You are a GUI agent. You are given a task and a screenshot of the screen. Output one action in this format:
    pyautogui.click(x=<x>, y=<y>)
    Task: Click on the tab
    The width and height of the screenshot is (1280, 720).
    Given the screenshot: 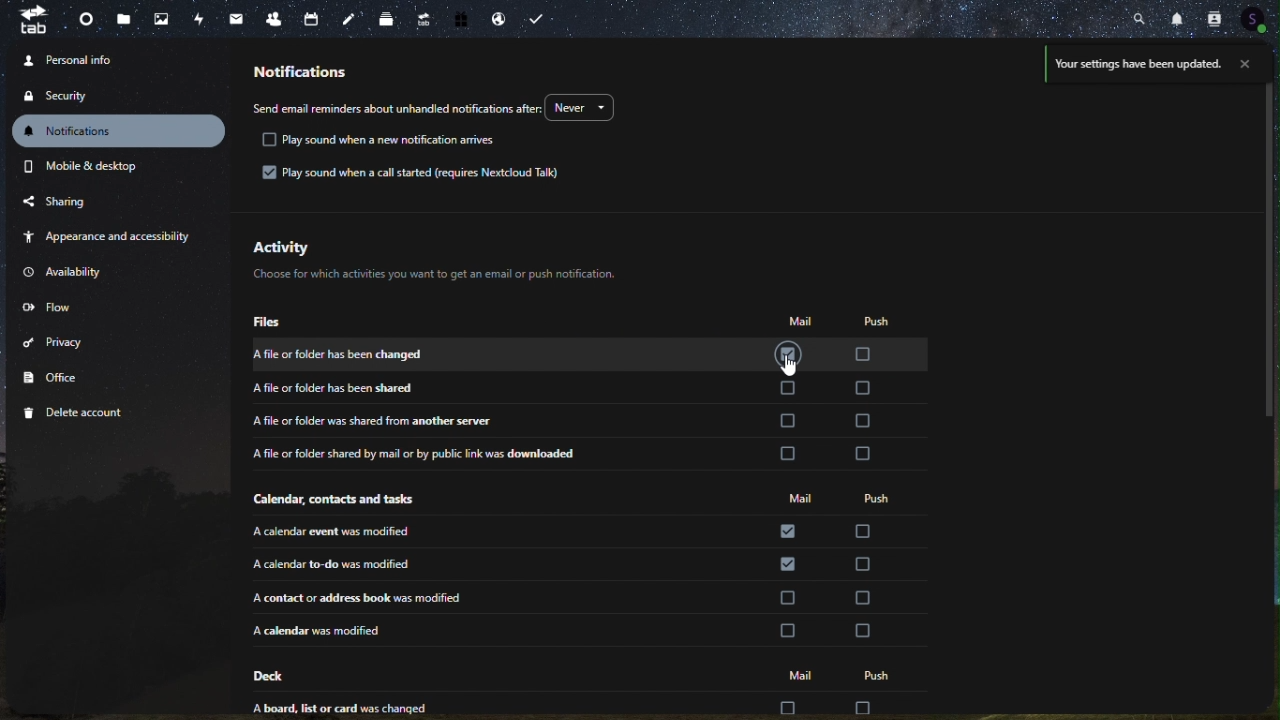 What is the action you would take?
    pyautogui.click(x=32, y=20)
    